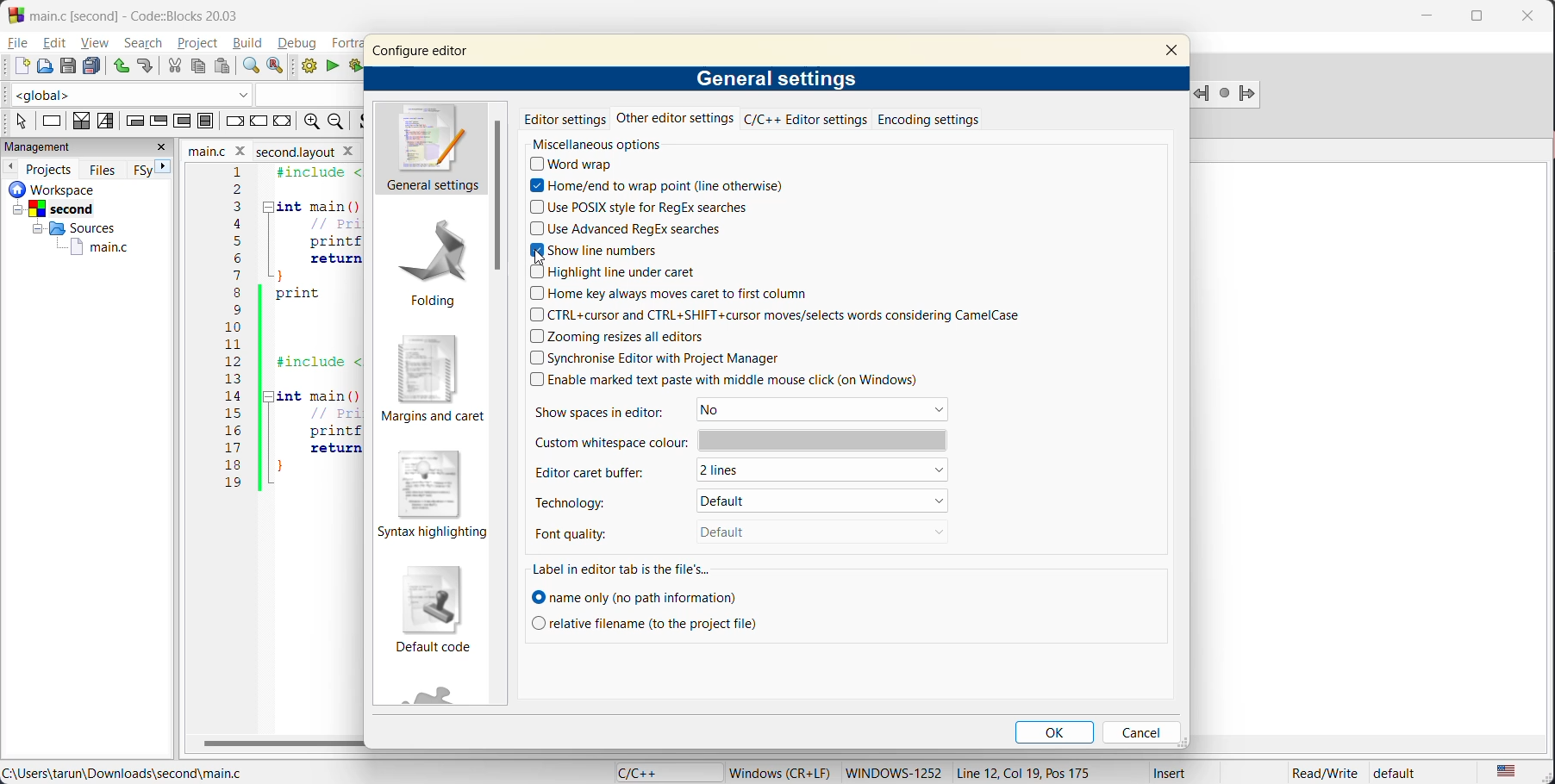 Image resolution: width=1555 pixels, height=784 pixels. What do you see at coordinates (659, 771) in the screenshot?
I see `language` at bounding box center [659, 771].